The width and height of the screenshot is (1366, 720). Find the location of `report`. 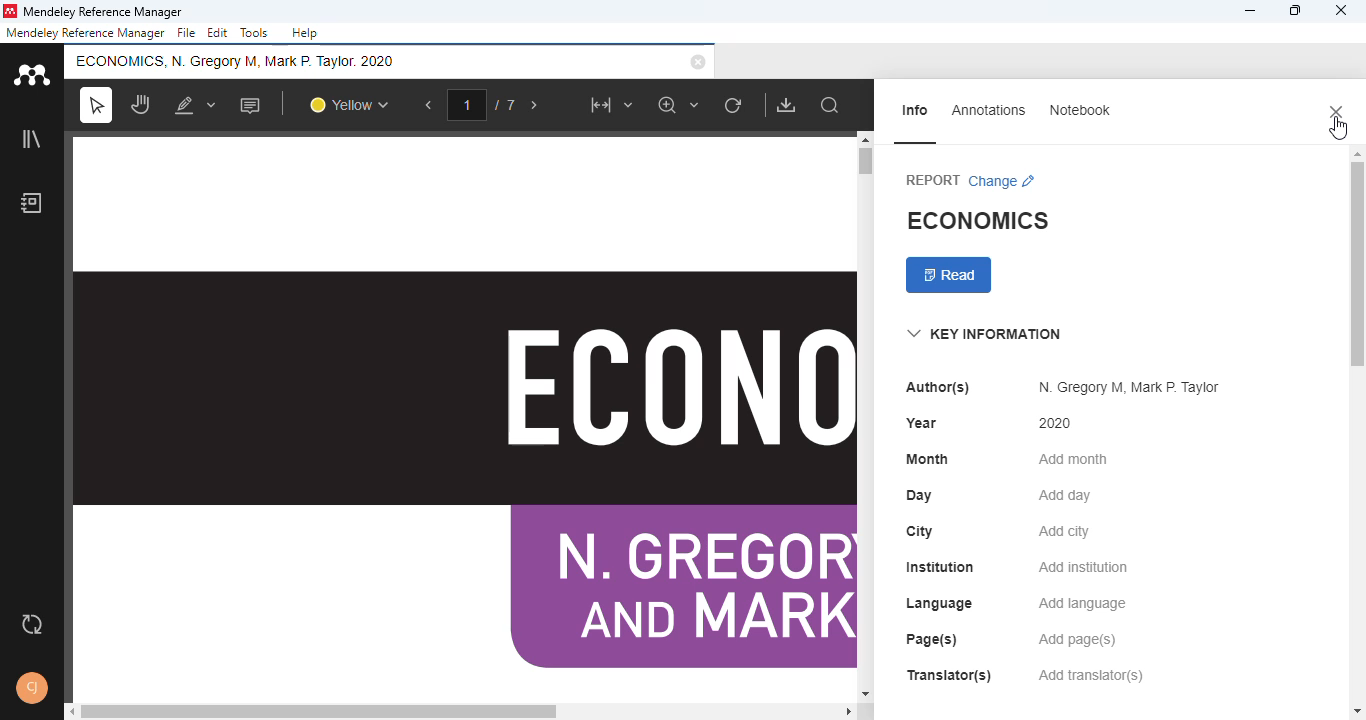

report is located at coordinates (932, 180).